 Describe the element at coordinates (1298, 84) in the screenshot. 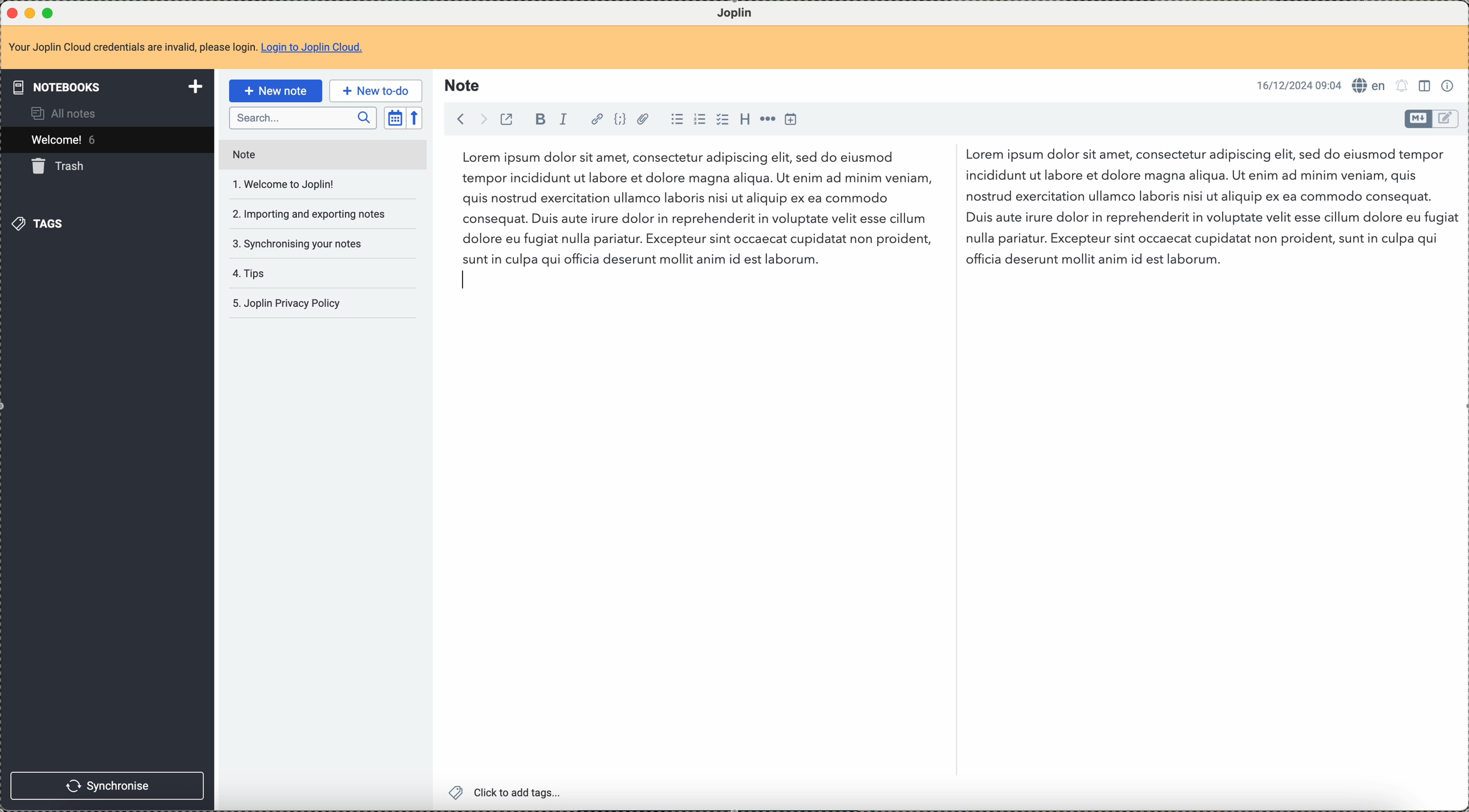

I see `16/12/2024 09:04` at that location.